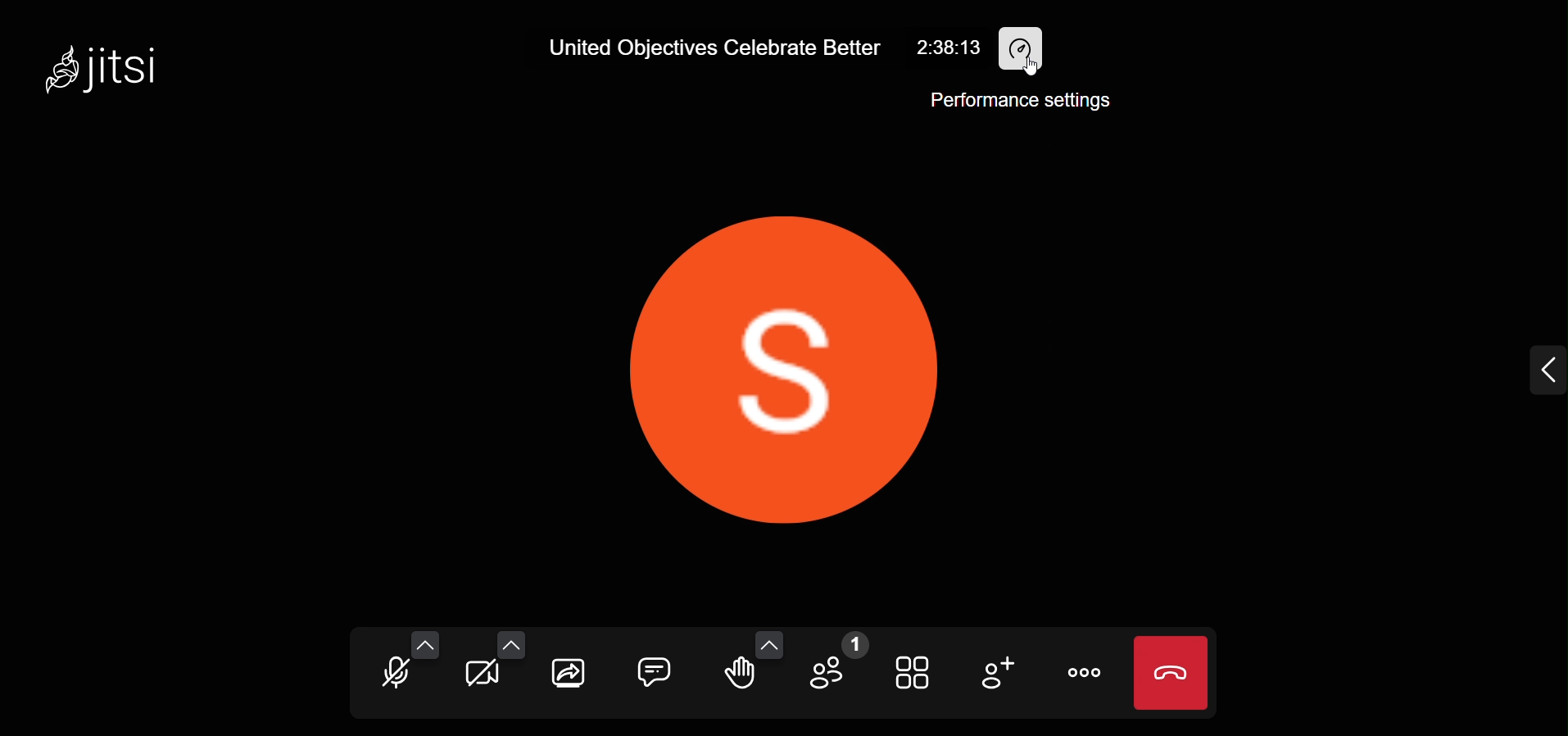 The width and height of the screenshot is (1568, 736). What do you see at coordinates (654, 673) in the screenshot?
I see `chat` at bounding box center [654, 673].